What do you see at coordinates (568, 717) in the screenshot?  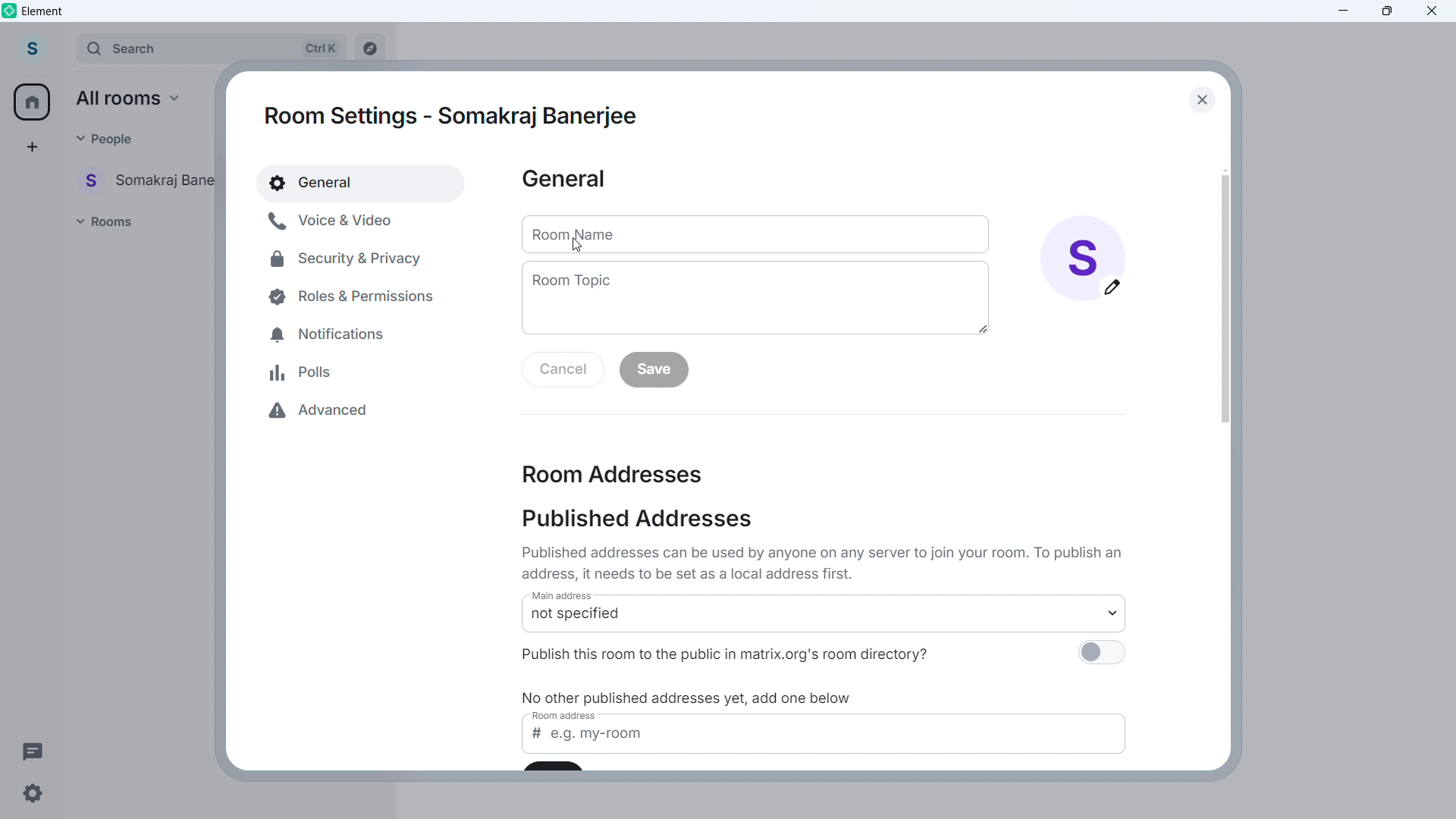 I see `room address ` at bounding box center [568, 717].